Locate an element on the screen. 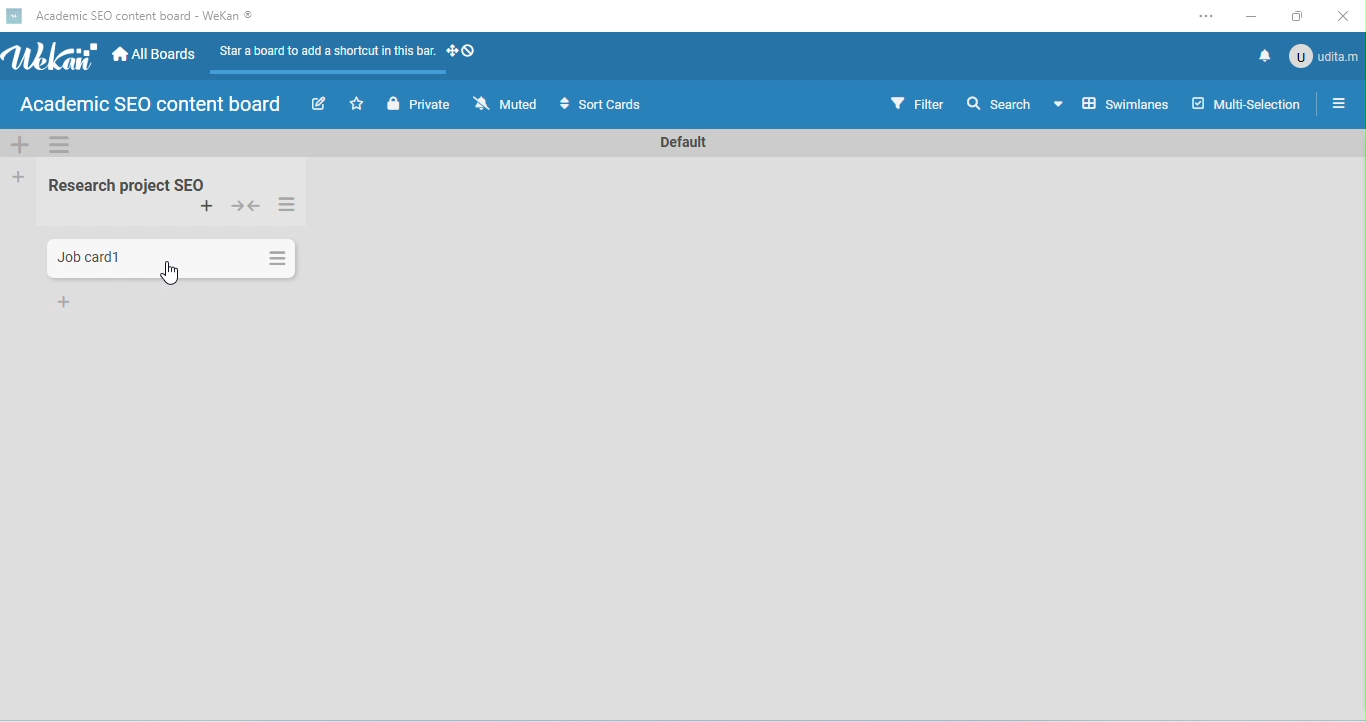  minimize is located at coordinates (1252, 15).